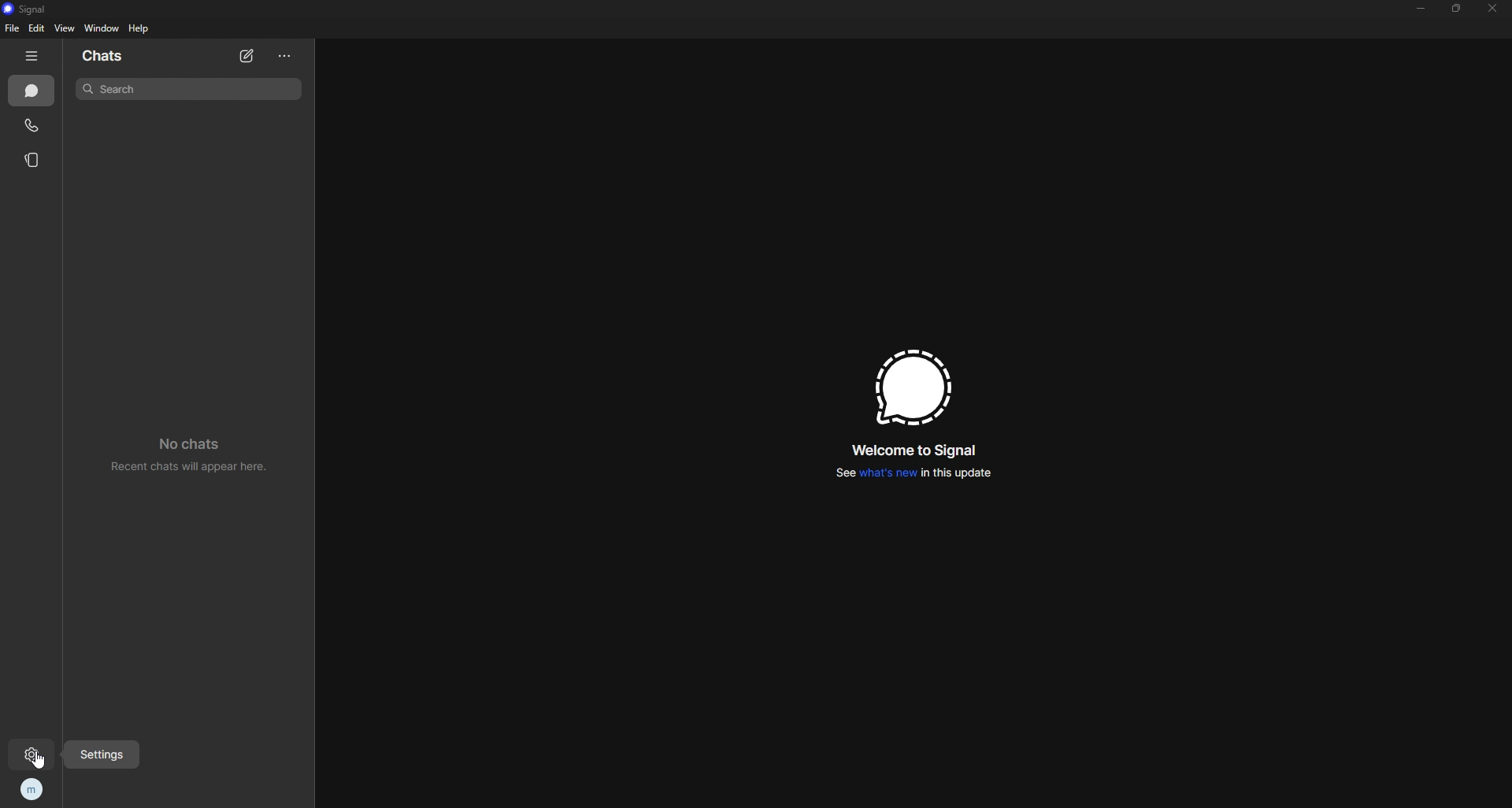 The image size is (1512, 808). Describe the element at coordinates (912, 476) in the screenshot. I see `see whats new in this update` at that location.